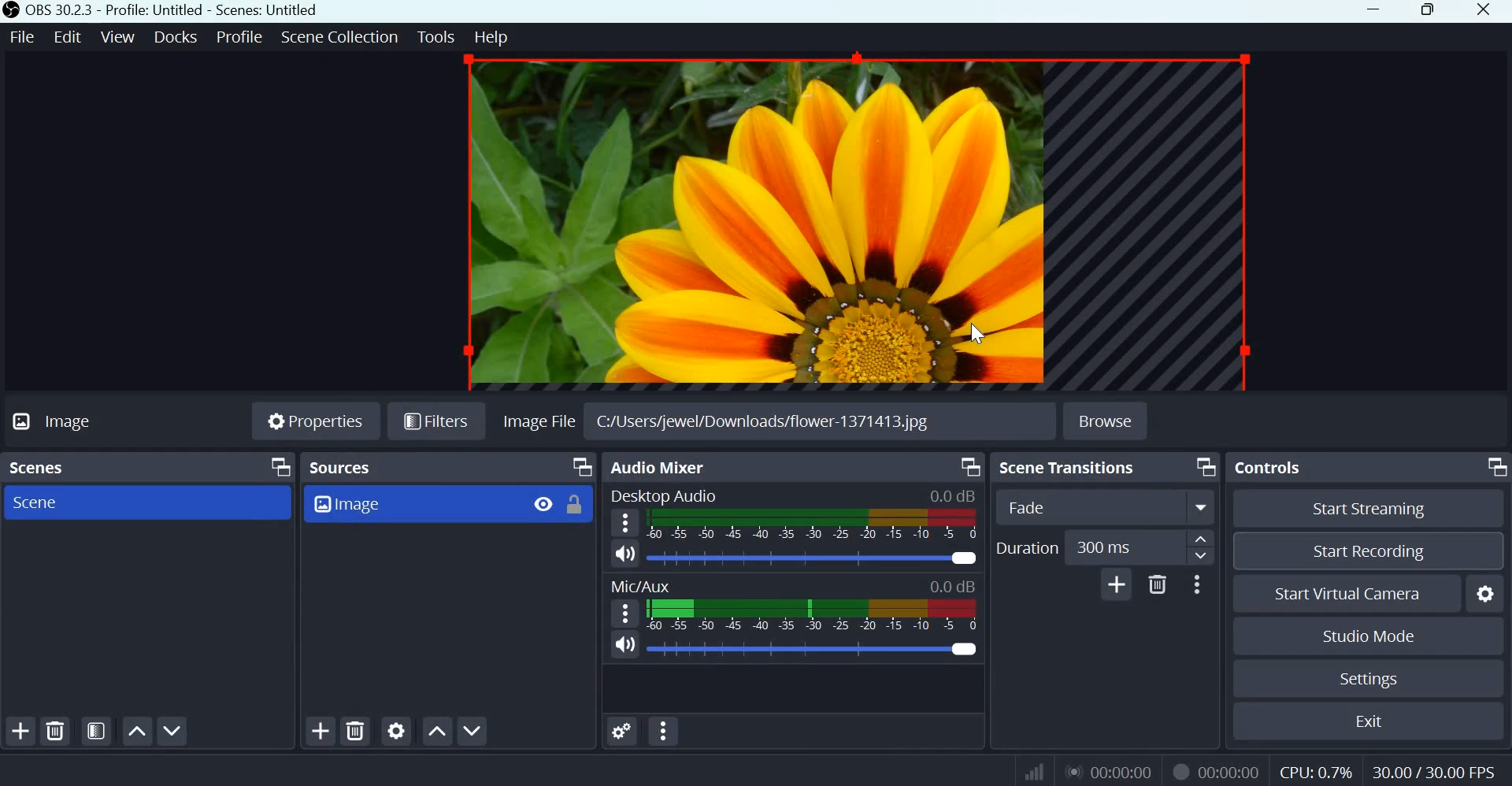  I want to click on Scene transitions, so click(1065, 468).